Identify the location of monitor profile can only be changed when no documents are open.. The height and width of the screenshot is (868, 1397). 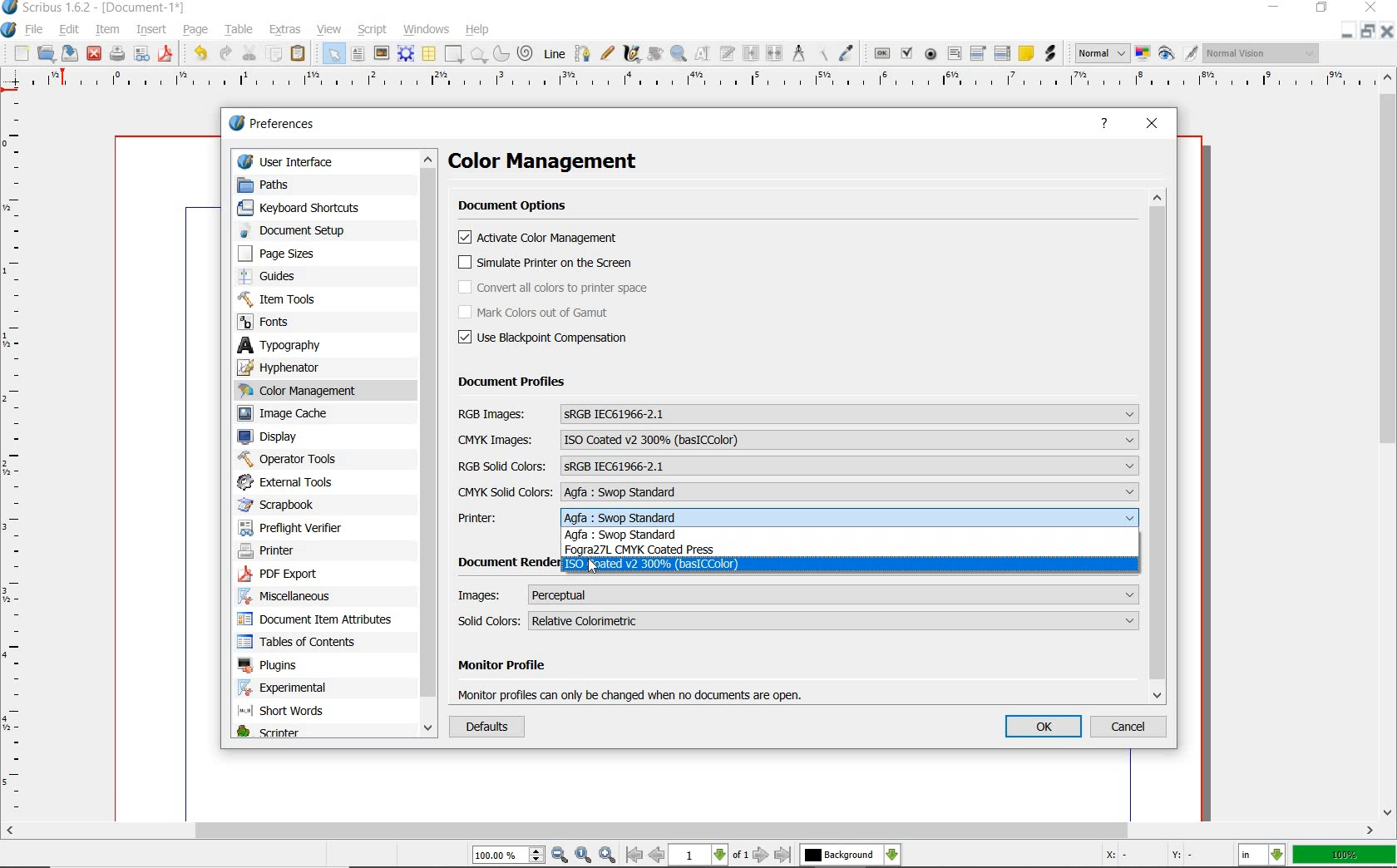
(634, 693).